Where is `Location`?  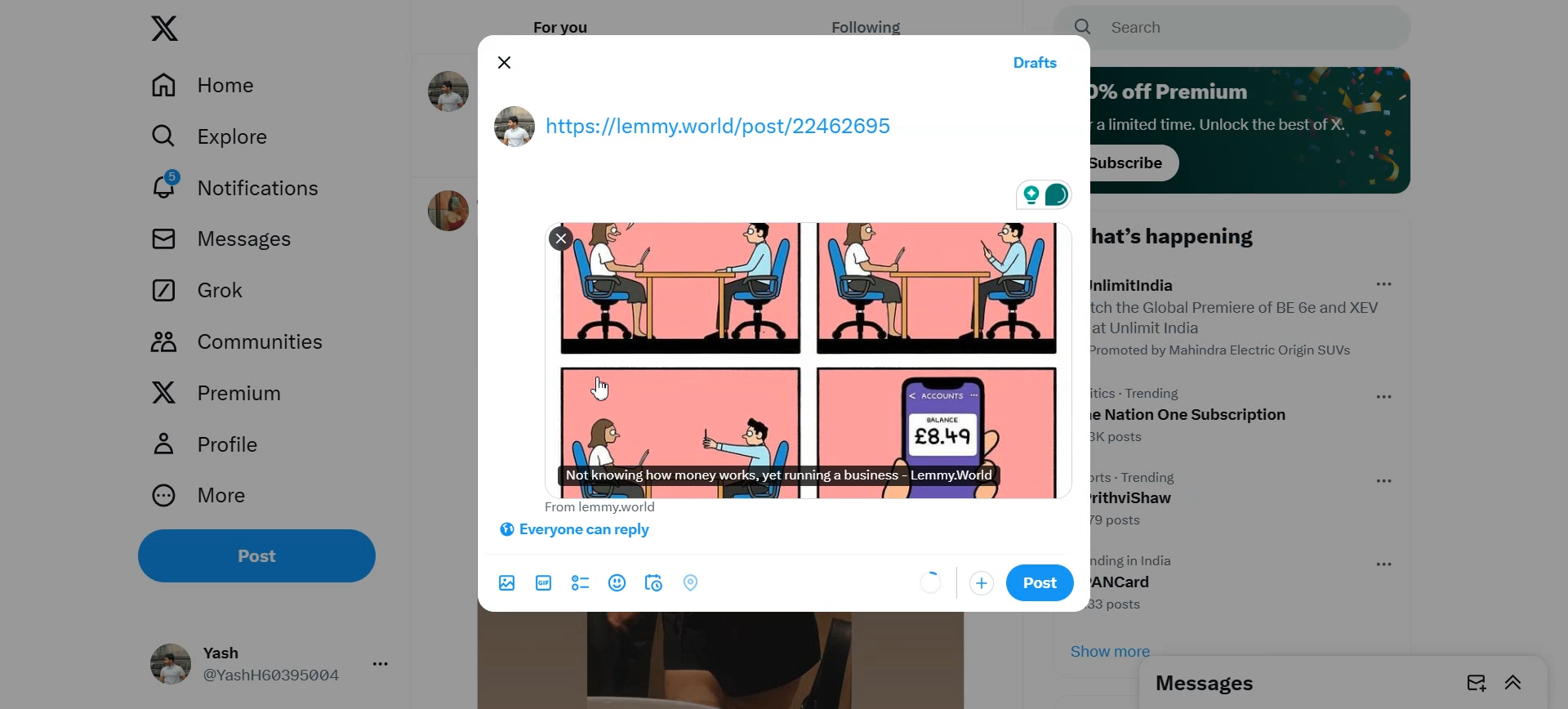
Location is located at coordinates (690, 583).